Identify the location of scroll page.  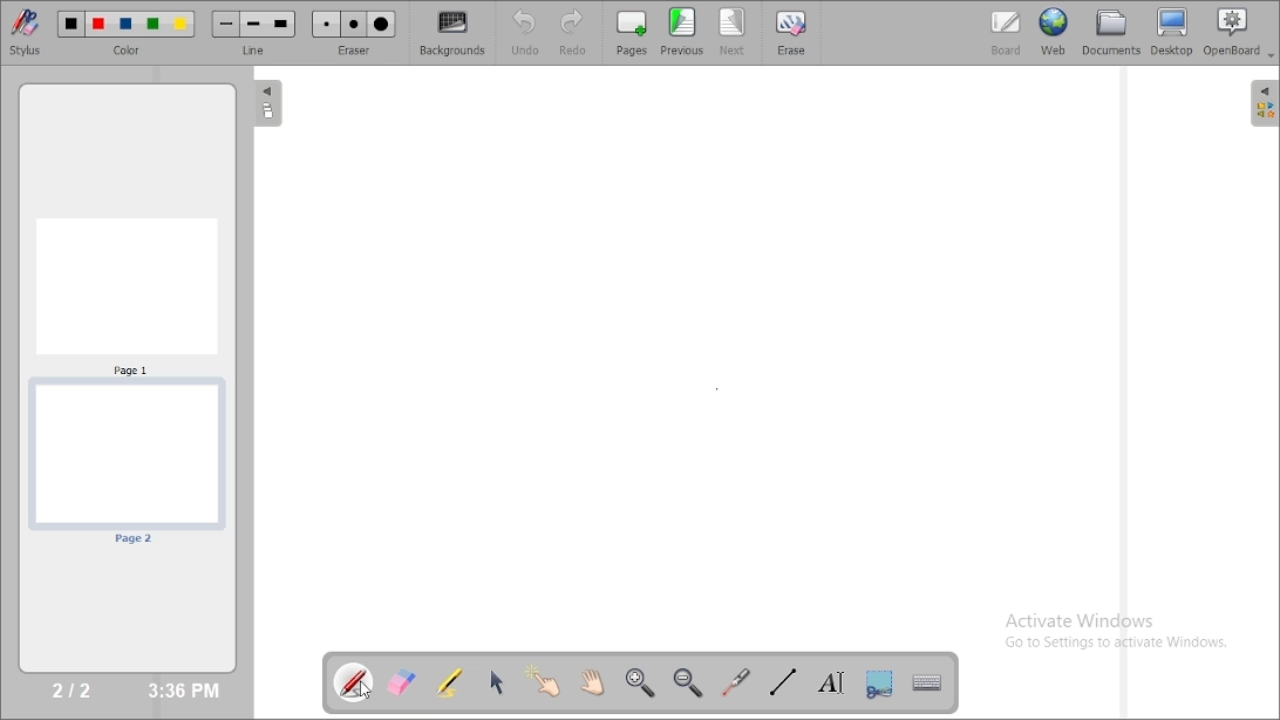
(591, 681).